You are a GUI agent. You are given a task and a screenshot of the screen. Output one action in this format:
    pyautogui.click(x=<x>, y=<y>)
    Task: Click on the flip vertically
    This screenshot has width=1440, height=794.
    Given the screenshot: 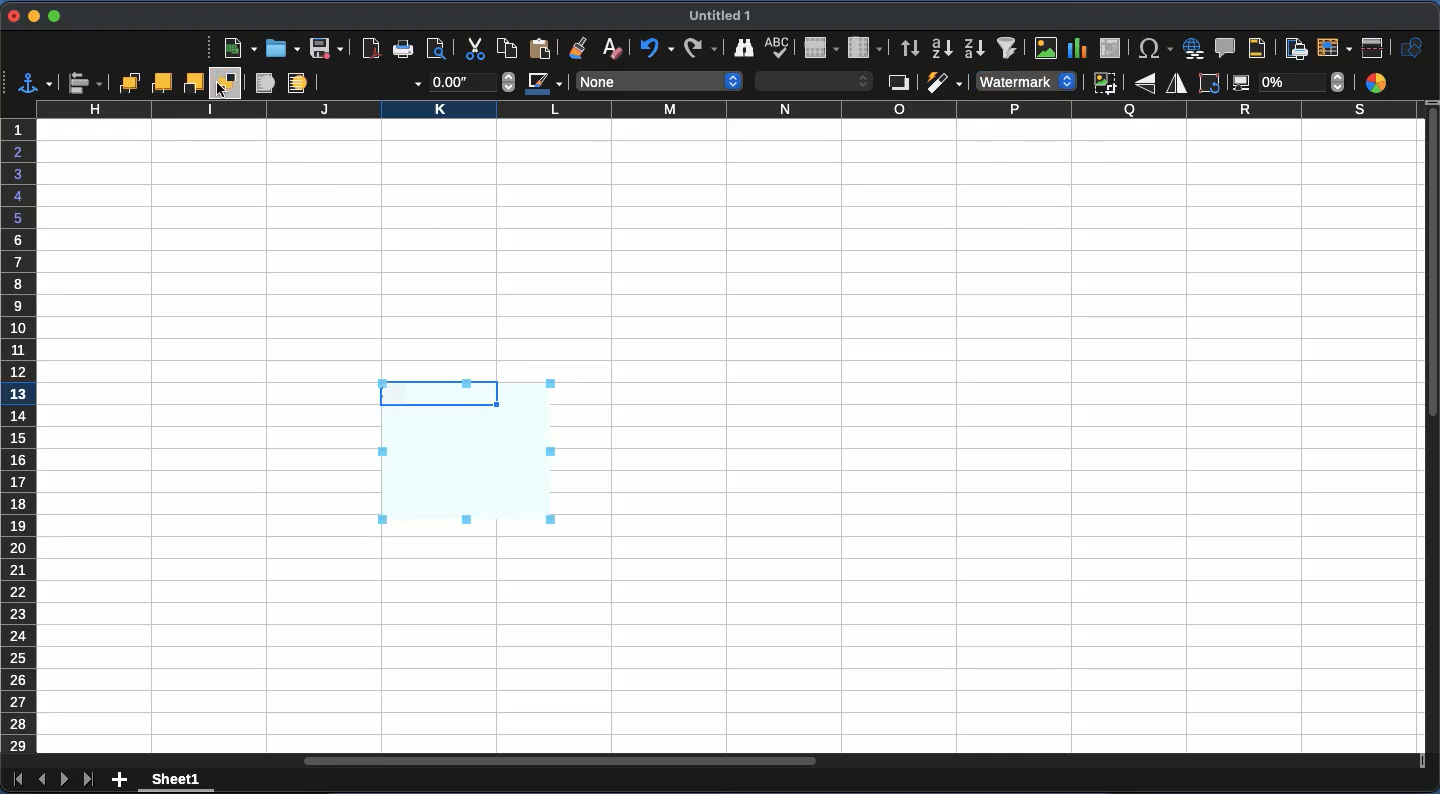 What is the action you would take?
    pyautogui.click(x=1145, y=85)
    